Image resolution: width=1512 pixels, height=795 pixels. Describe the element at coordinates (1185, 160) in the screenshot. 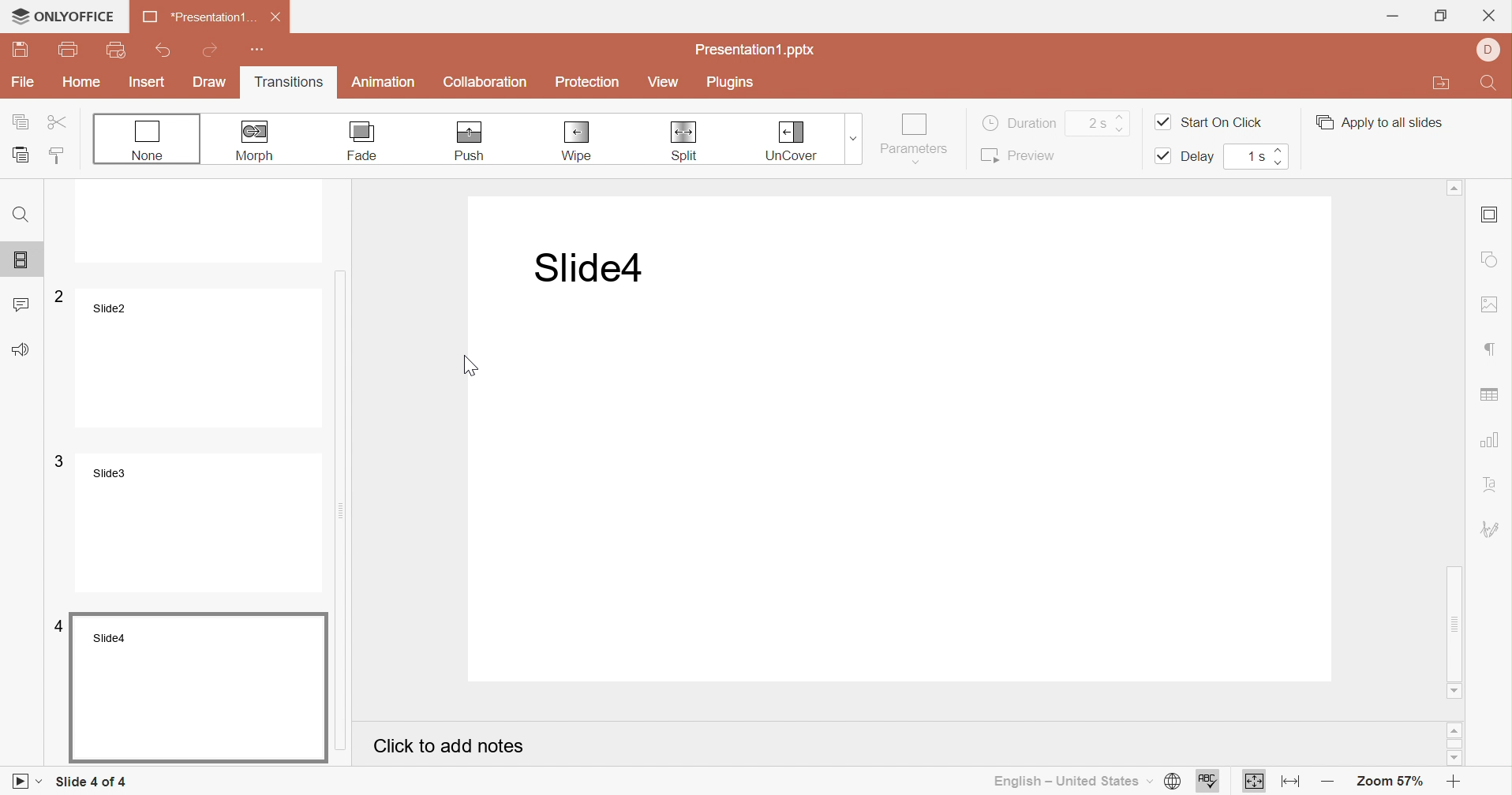

I see `Delay` at that location.